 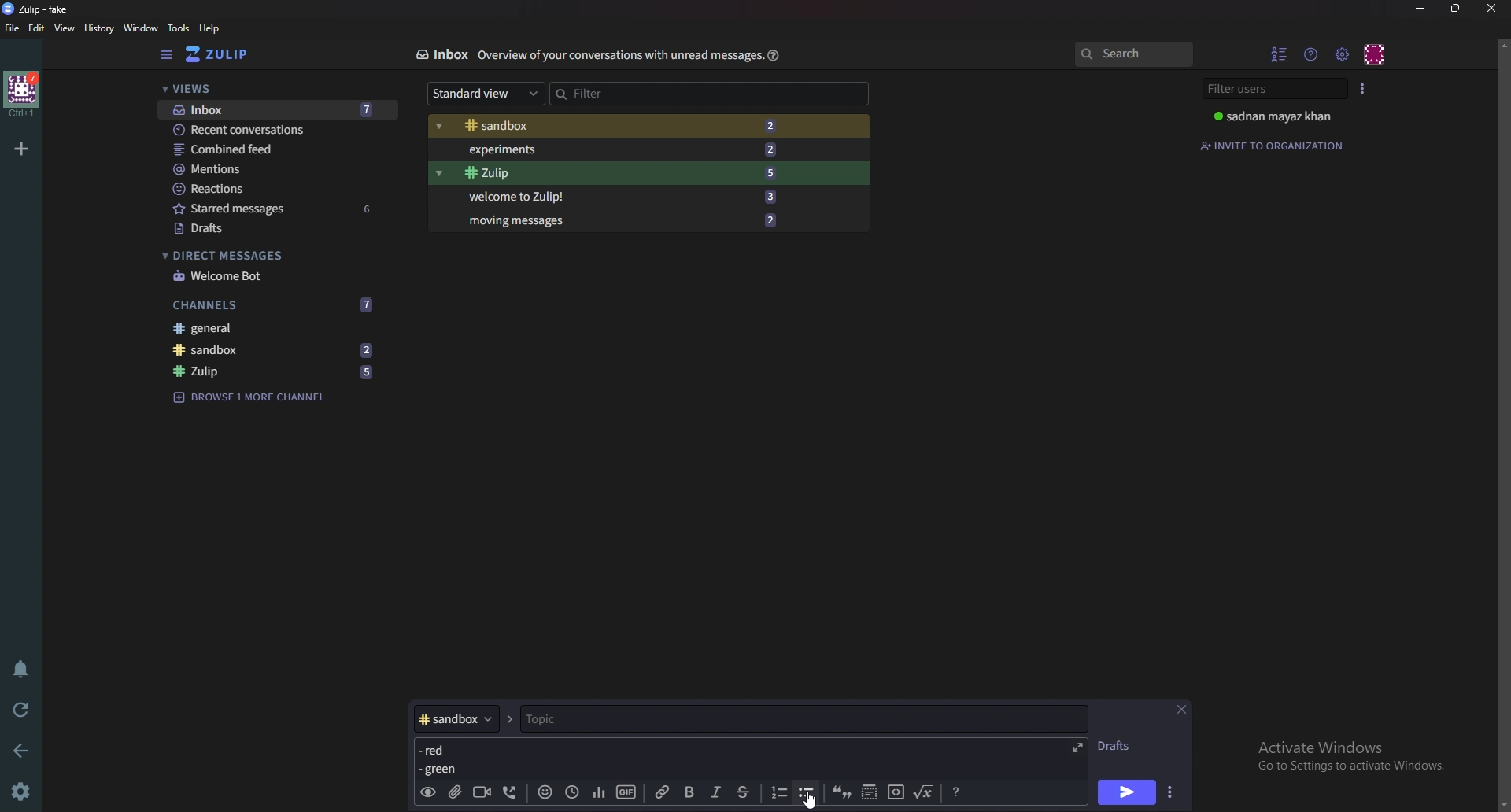 I want to click on Reload, so click(x=21, y=710).